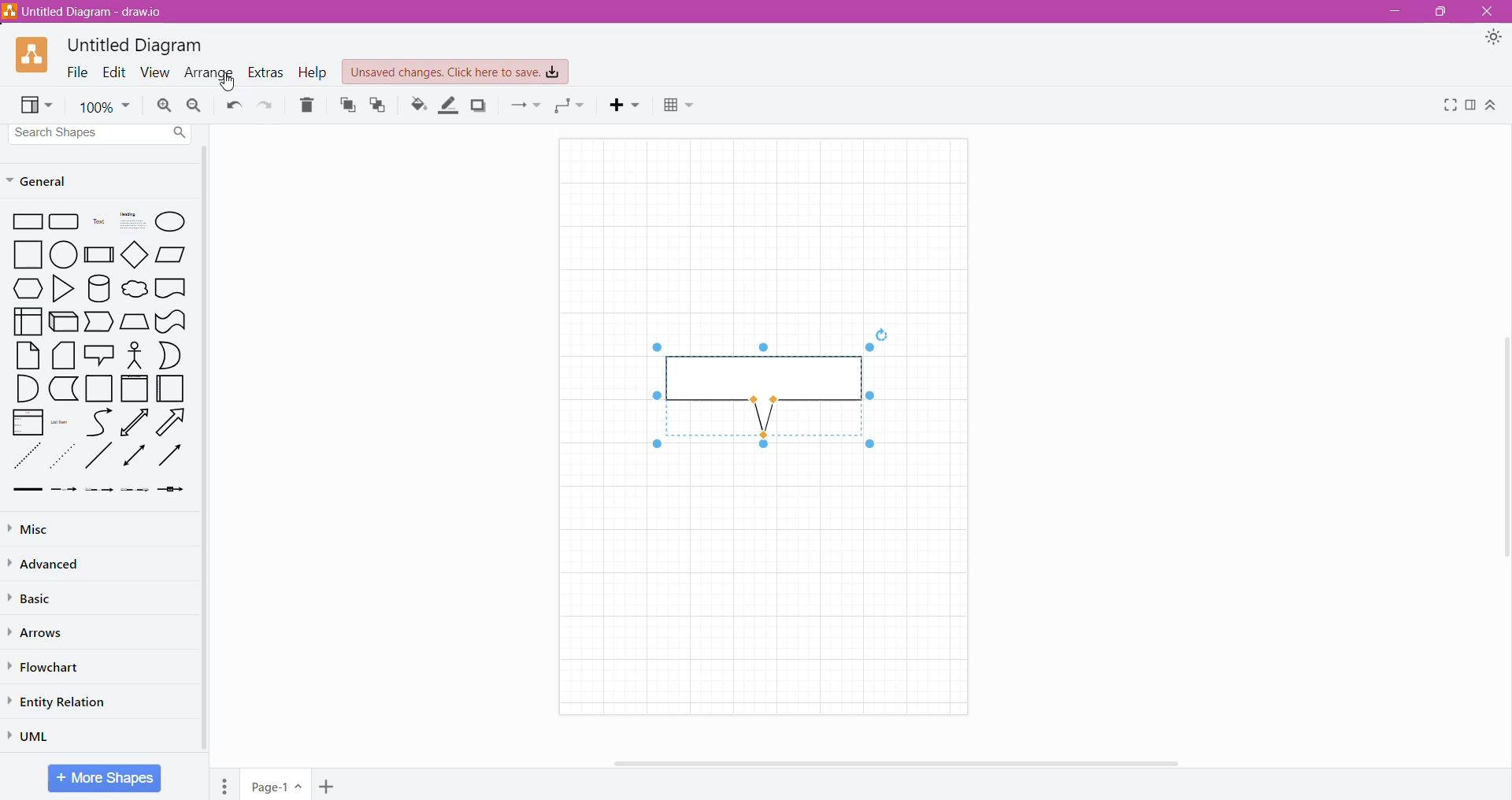 The height and width of the screenshot is (800, 1512). I want to click on manual input, so click(135, 321).